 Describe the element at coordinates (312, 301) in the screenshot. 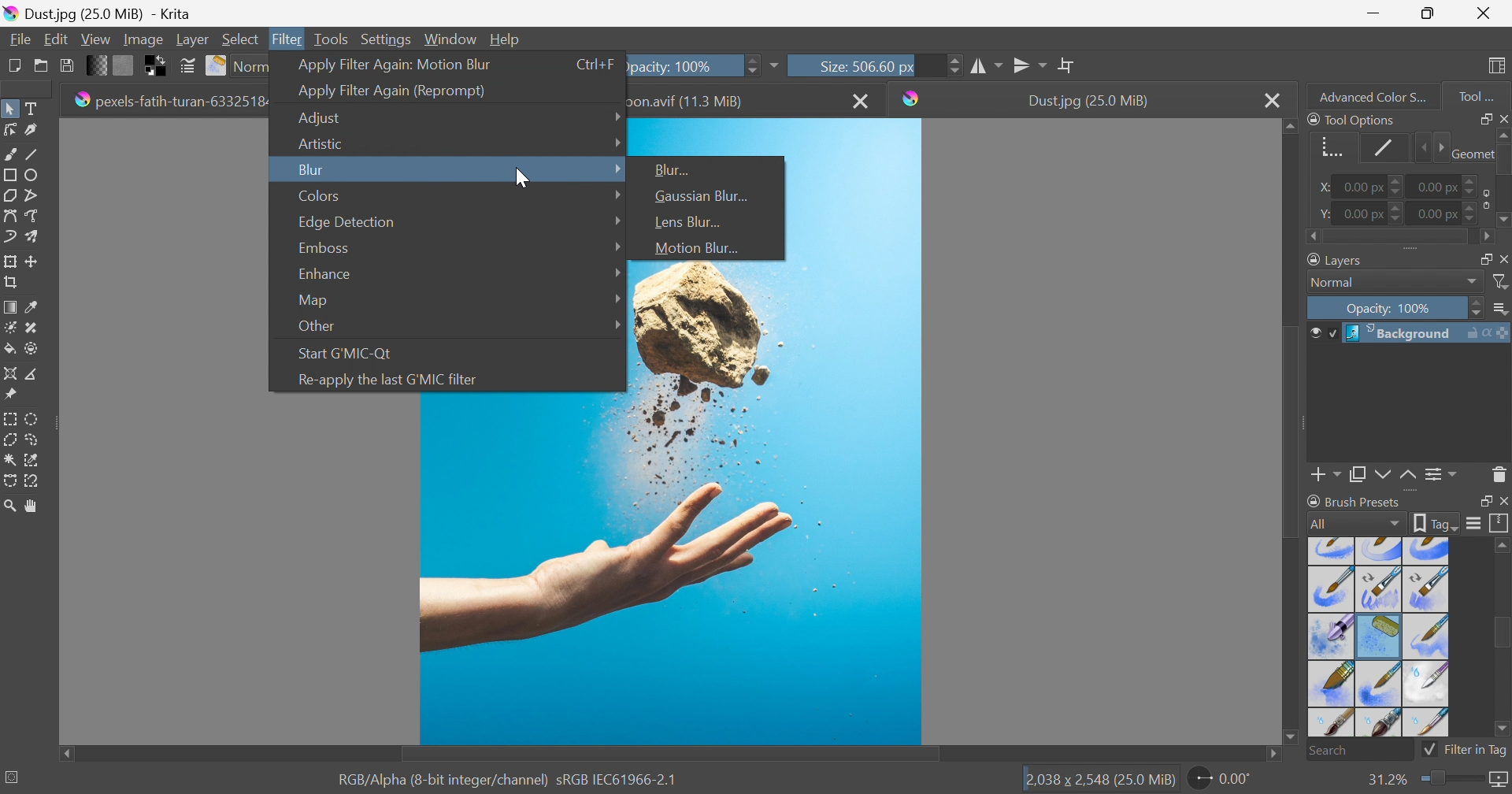

I see `Map` at that location.